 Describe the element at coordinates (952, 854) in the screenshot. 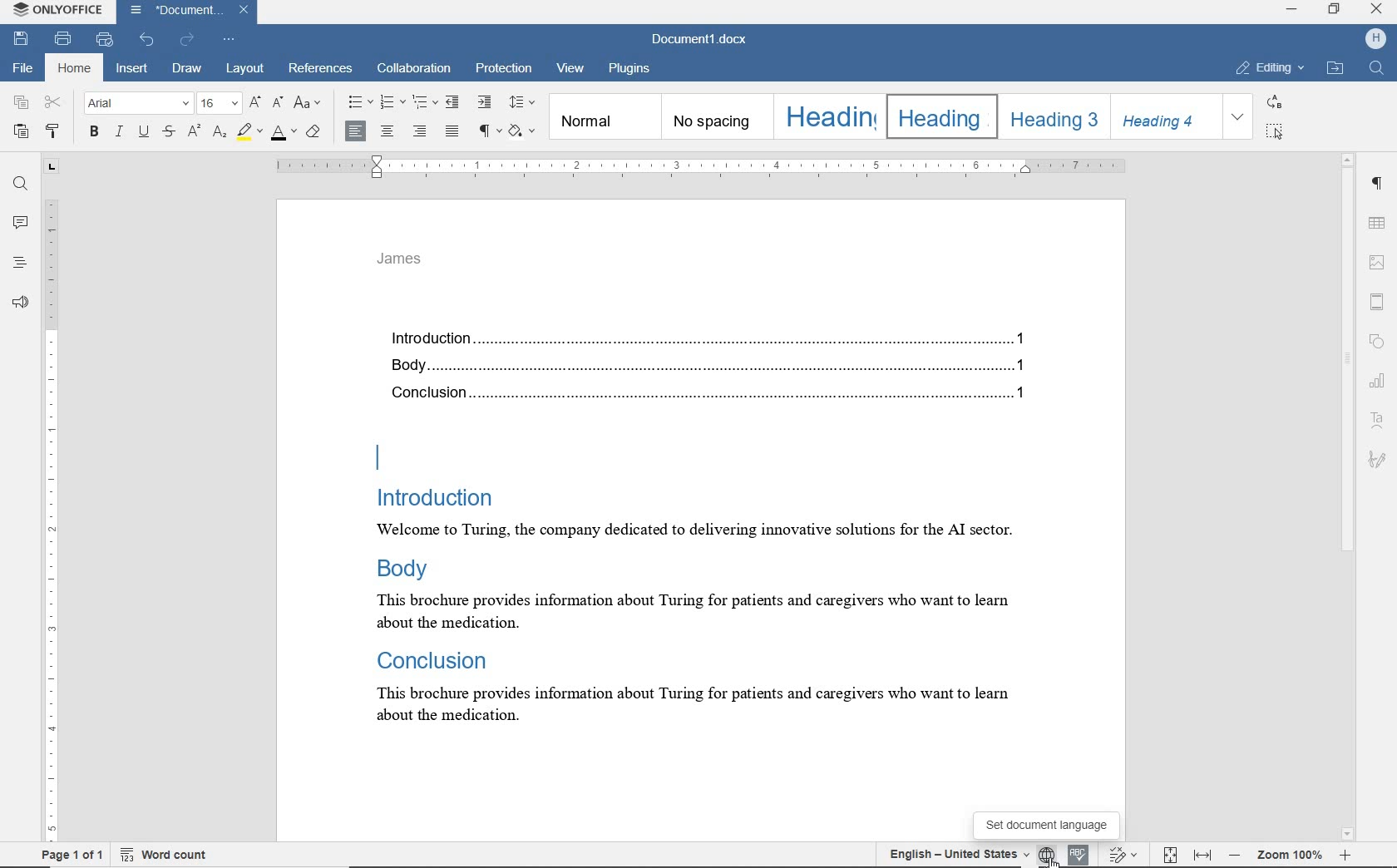

I see `English - United States` at that location.